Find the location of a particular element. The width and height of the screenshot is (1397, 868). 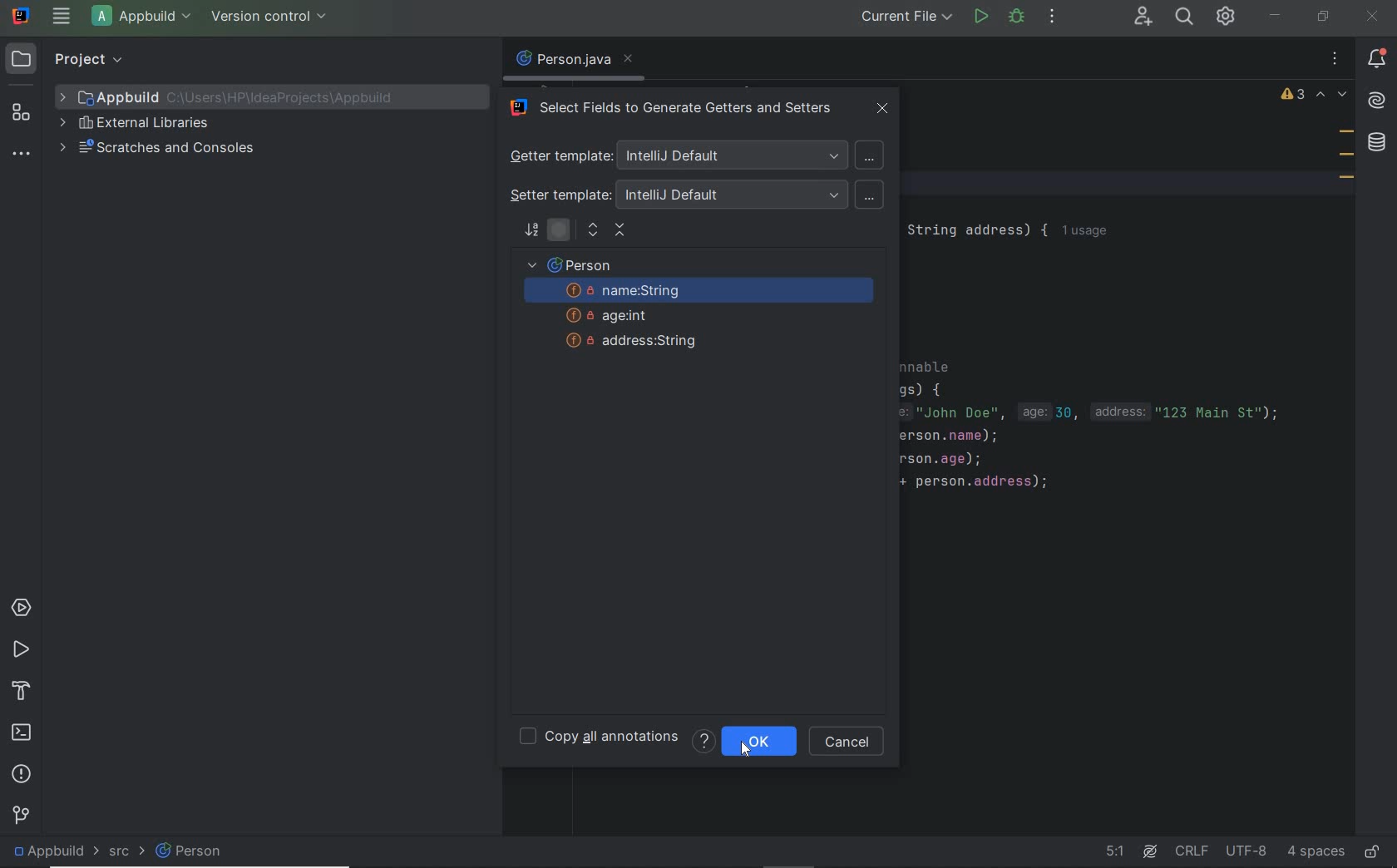

show classes is located at coordinates (560, 232).